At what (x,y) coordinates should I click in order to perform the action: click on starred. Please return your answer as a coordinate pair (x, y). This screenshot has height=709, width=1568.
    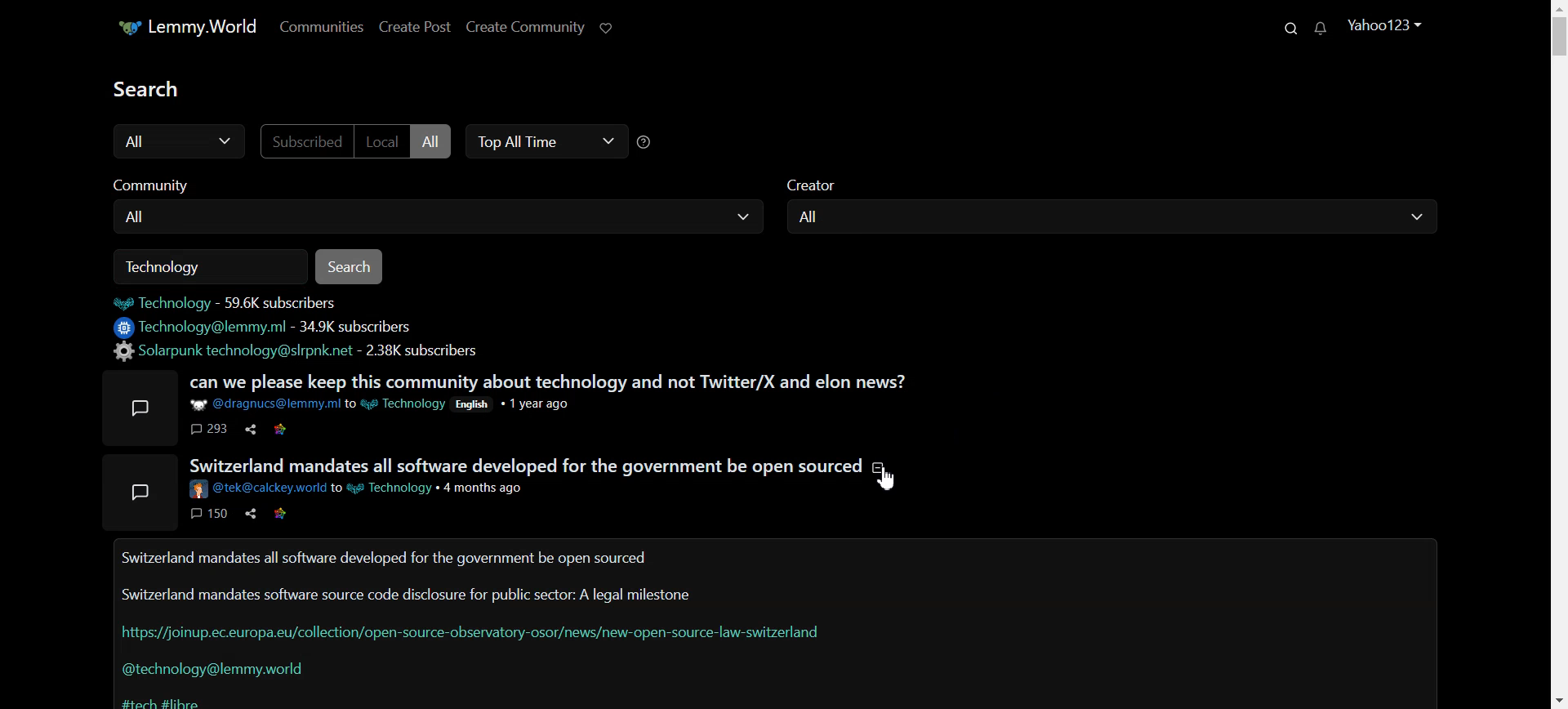
    Looking at the image, I should click on (281, 430).